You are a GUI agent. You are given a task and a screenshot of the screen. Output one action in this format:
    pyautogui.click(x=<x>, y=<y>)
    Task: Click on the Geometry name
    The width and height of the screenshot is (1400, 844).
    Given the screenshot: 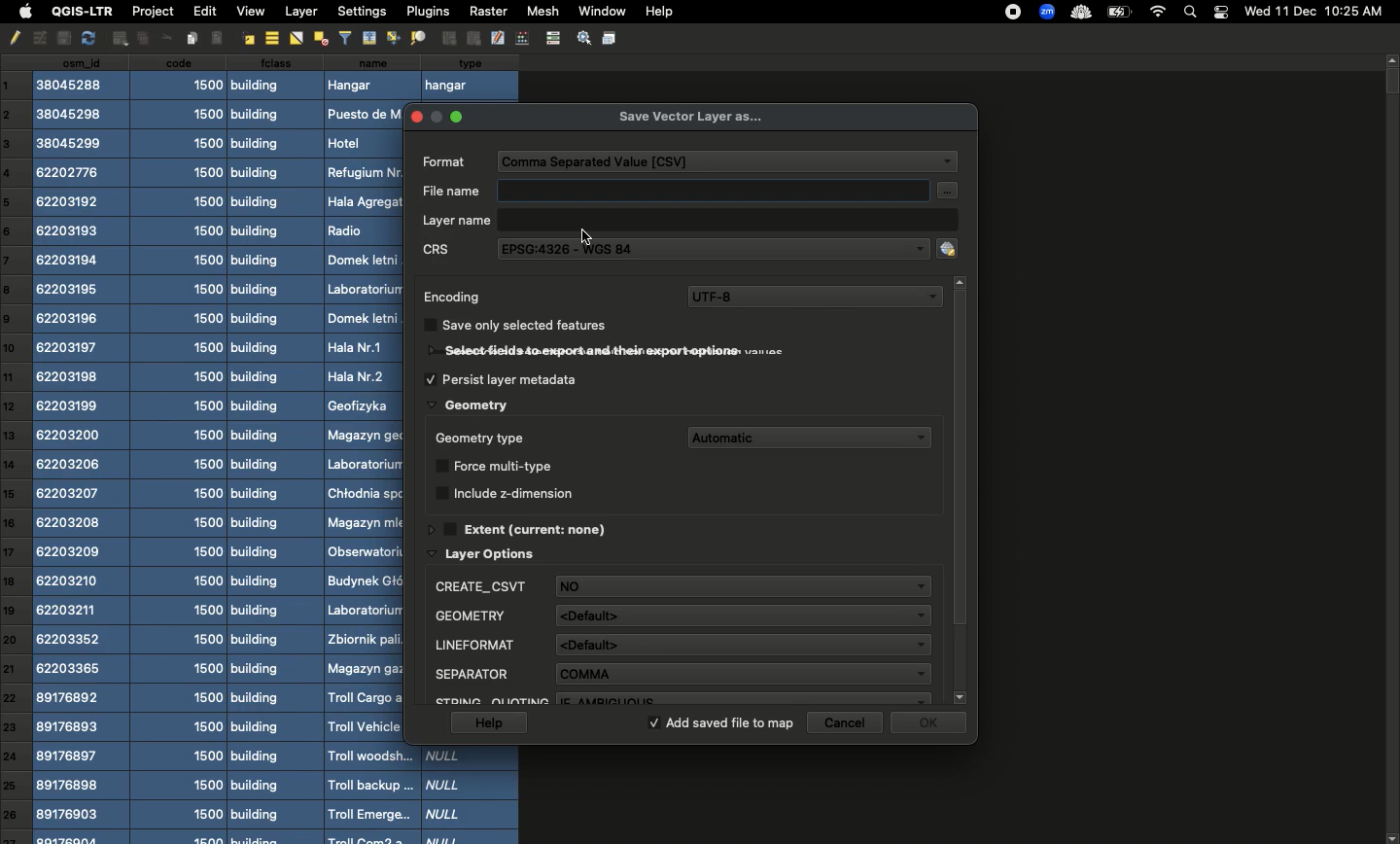 What is the action you would take?
    pyautogui.click(x=682, y=643)
    